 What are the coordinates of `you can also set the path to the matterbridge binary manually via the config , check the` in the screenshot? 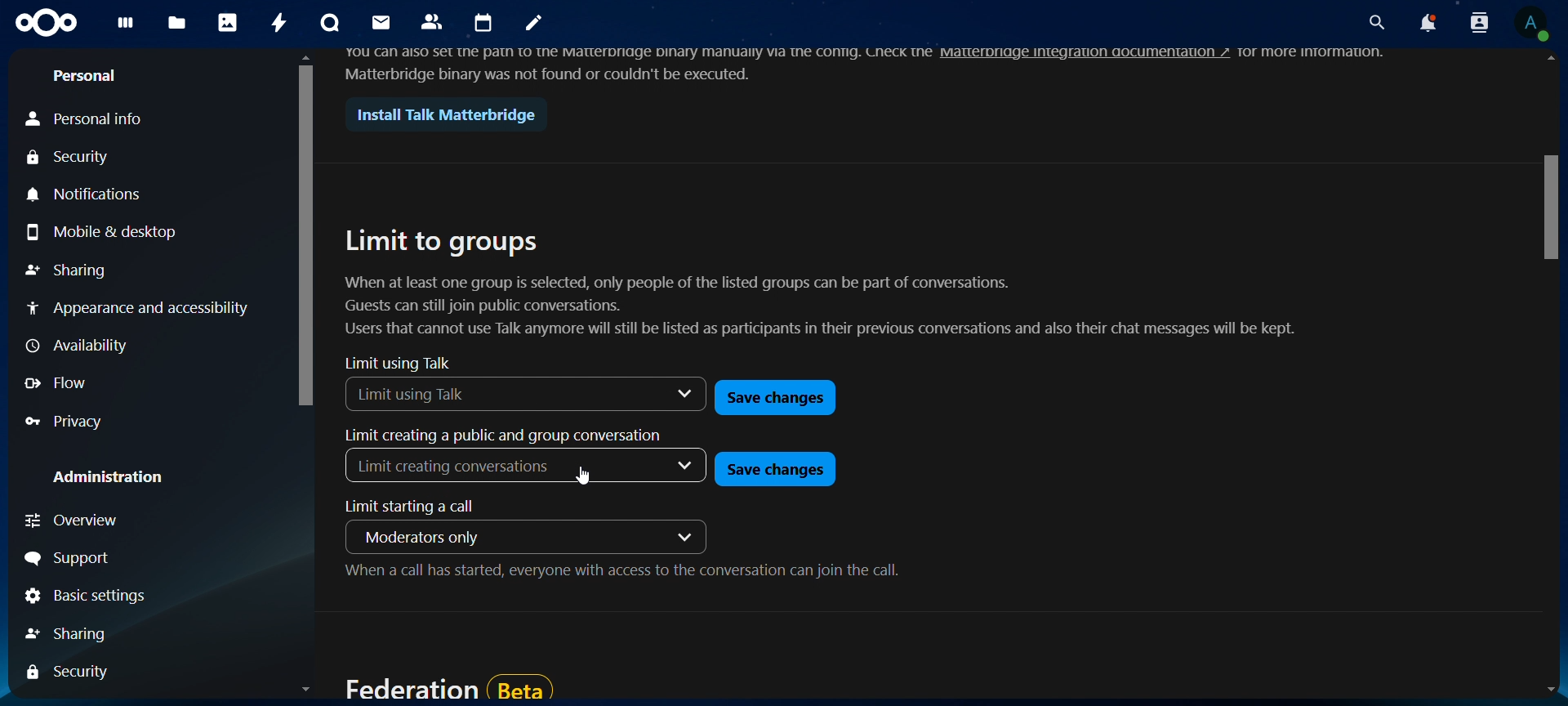 It's located at (629, 54).